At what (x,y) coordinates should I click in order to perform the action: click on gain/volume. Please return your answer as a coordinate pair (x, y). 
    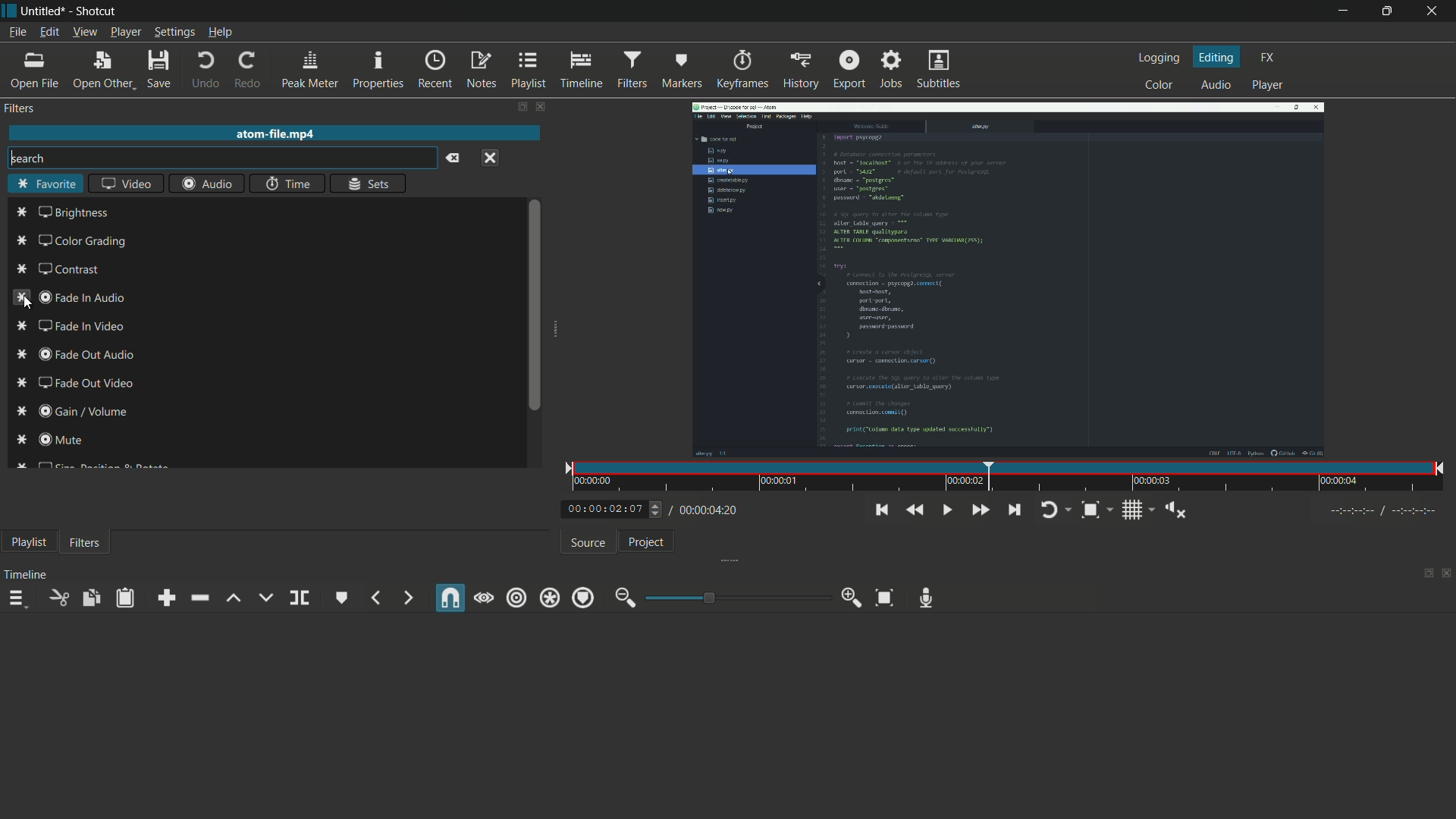
    Looking at the image, I should click on (85, 411).